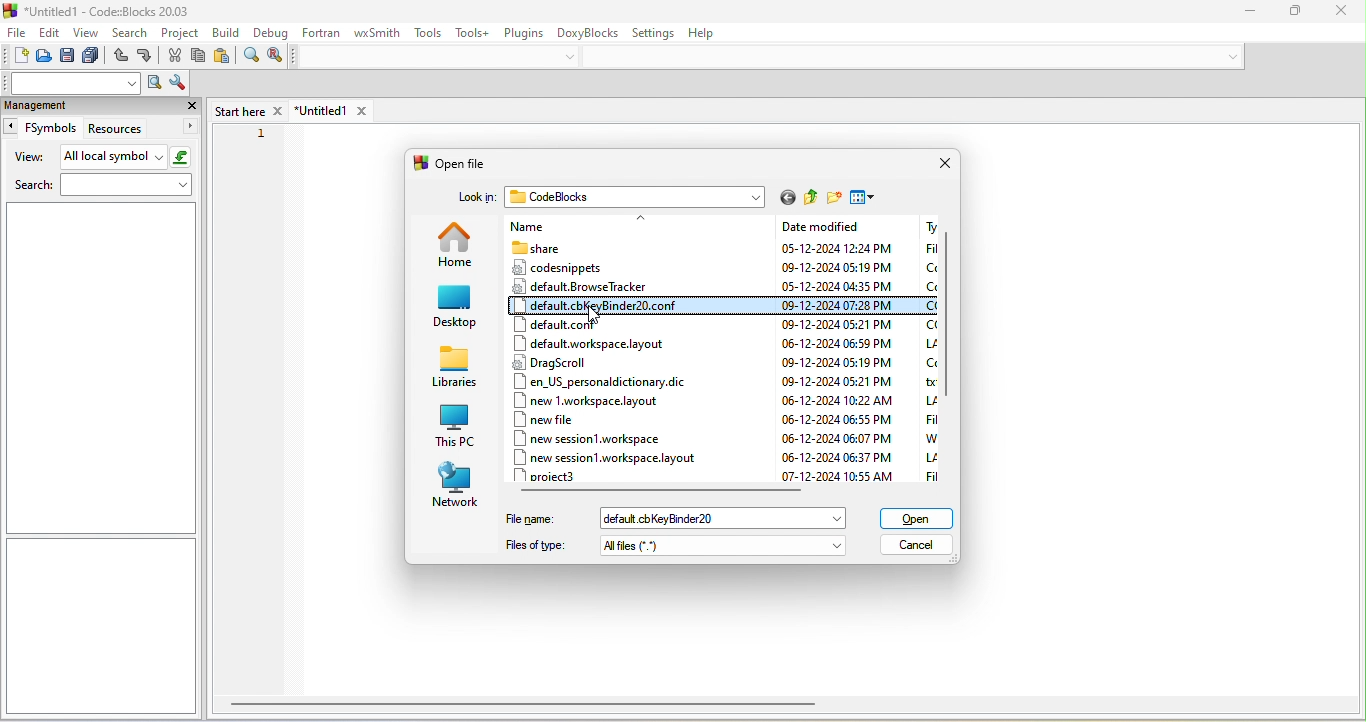 The height and width of the screenshot is (722, 1366). I want to click on paste, so click(224, 56).